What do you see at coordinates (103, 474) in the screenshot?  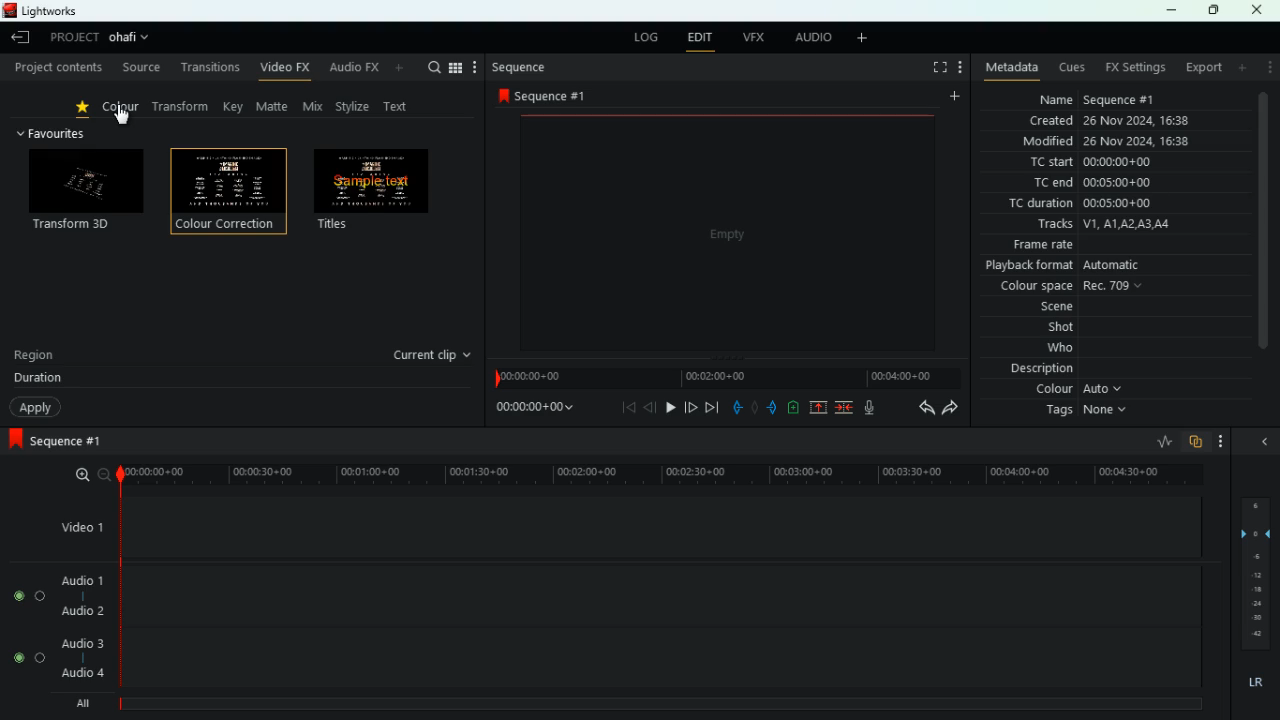 I see `zoom out` at bounding box center [103, 474].